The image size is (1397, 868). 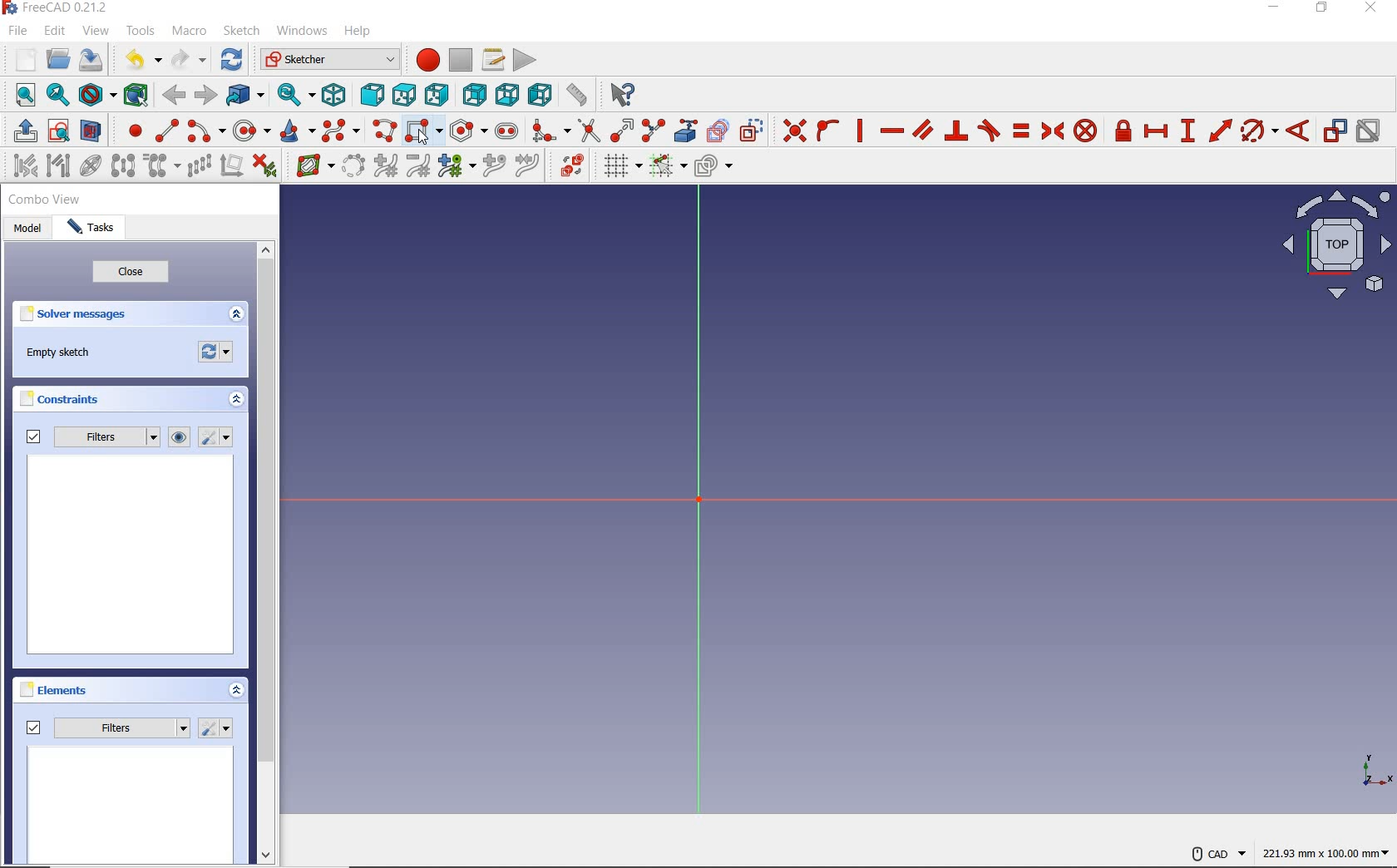 What do you see at coordinates (91, 168) in the screenshot?
I see `show/hide internal geometry` at bounding box center [91, 168].